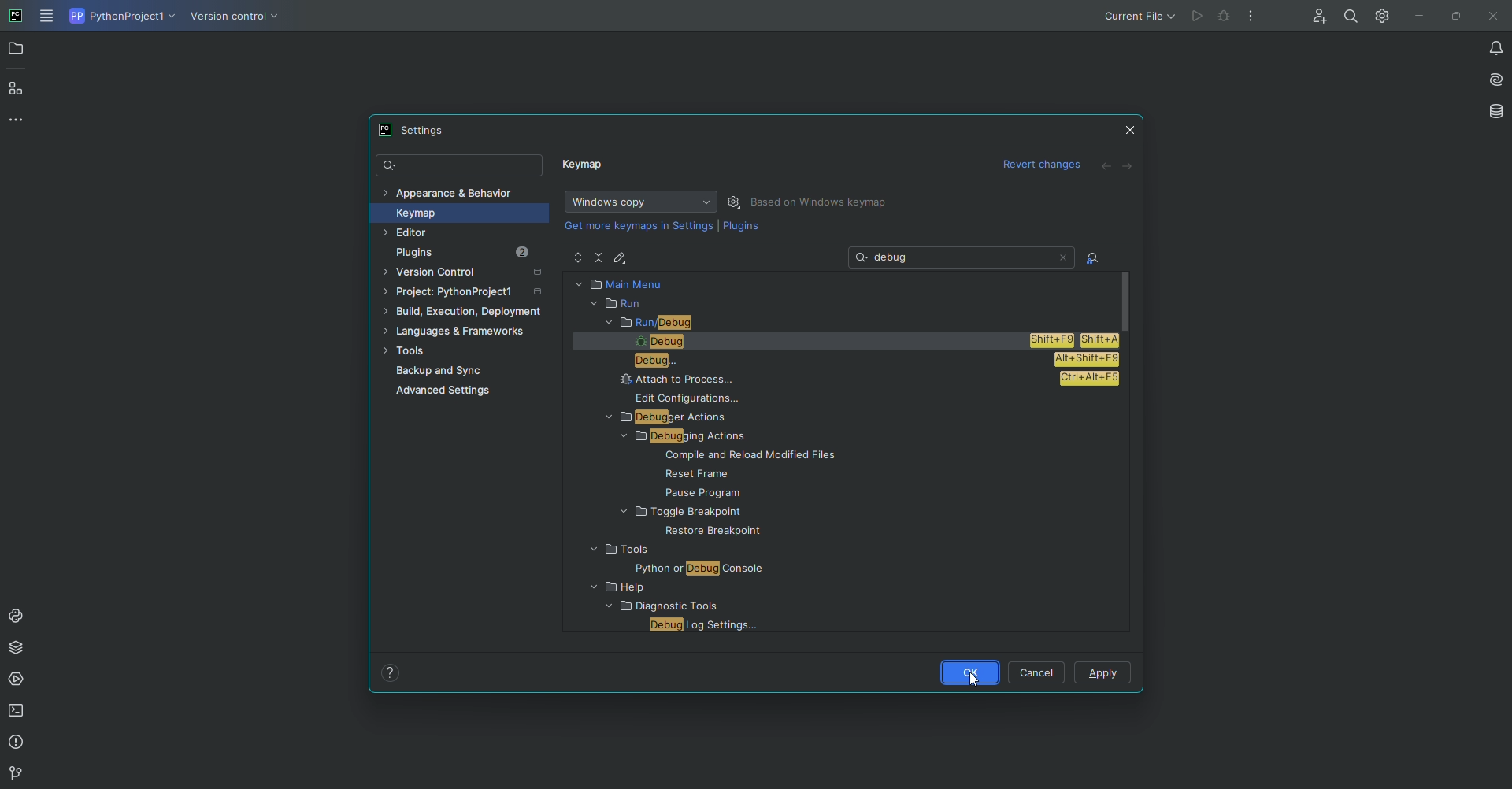 The width and height of the screenshot is (1512, 789). I want to click on Console, so click(17, 616).